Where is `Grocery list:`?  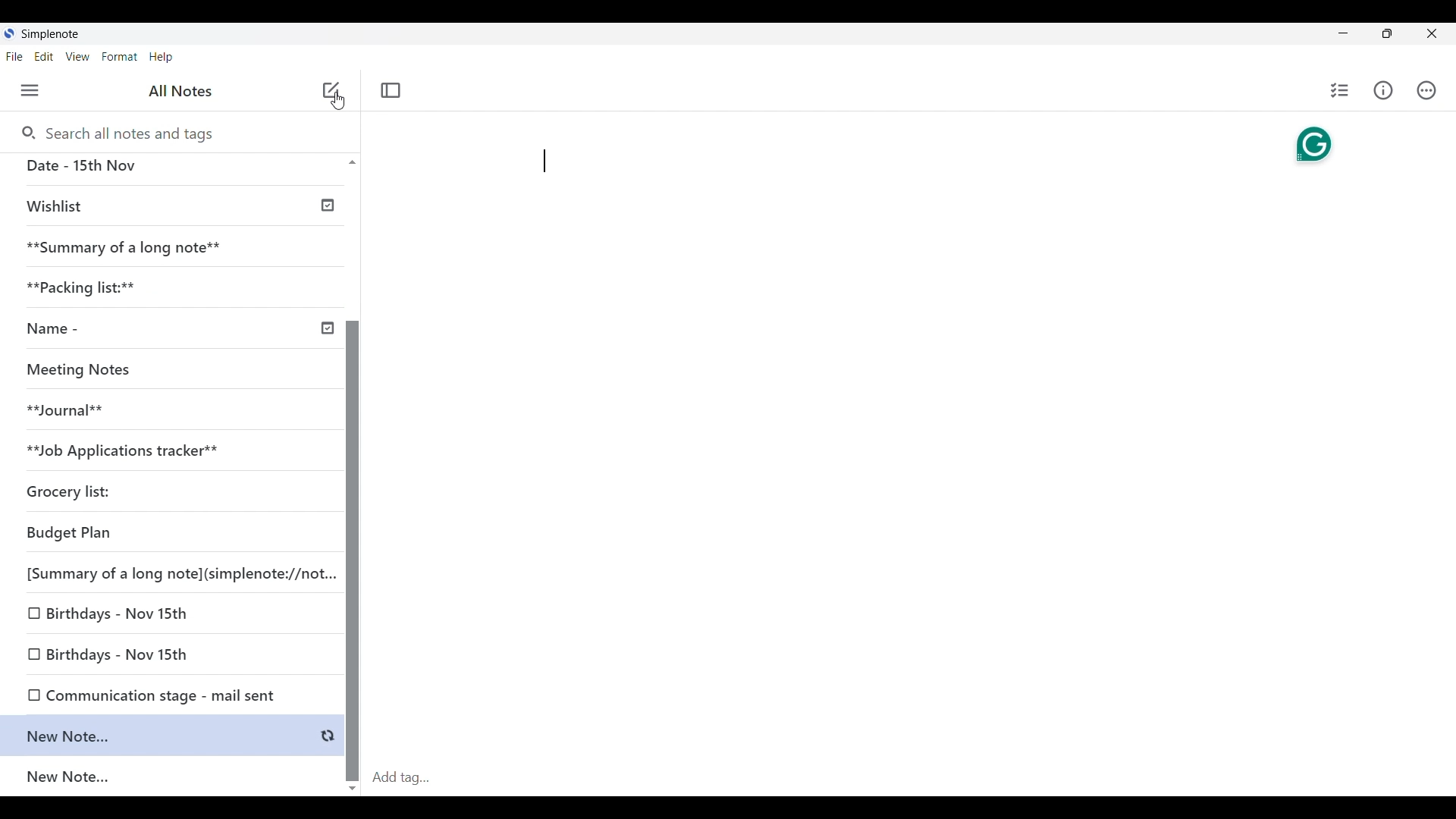 Grocery list: is located at coordinates (167, 491).